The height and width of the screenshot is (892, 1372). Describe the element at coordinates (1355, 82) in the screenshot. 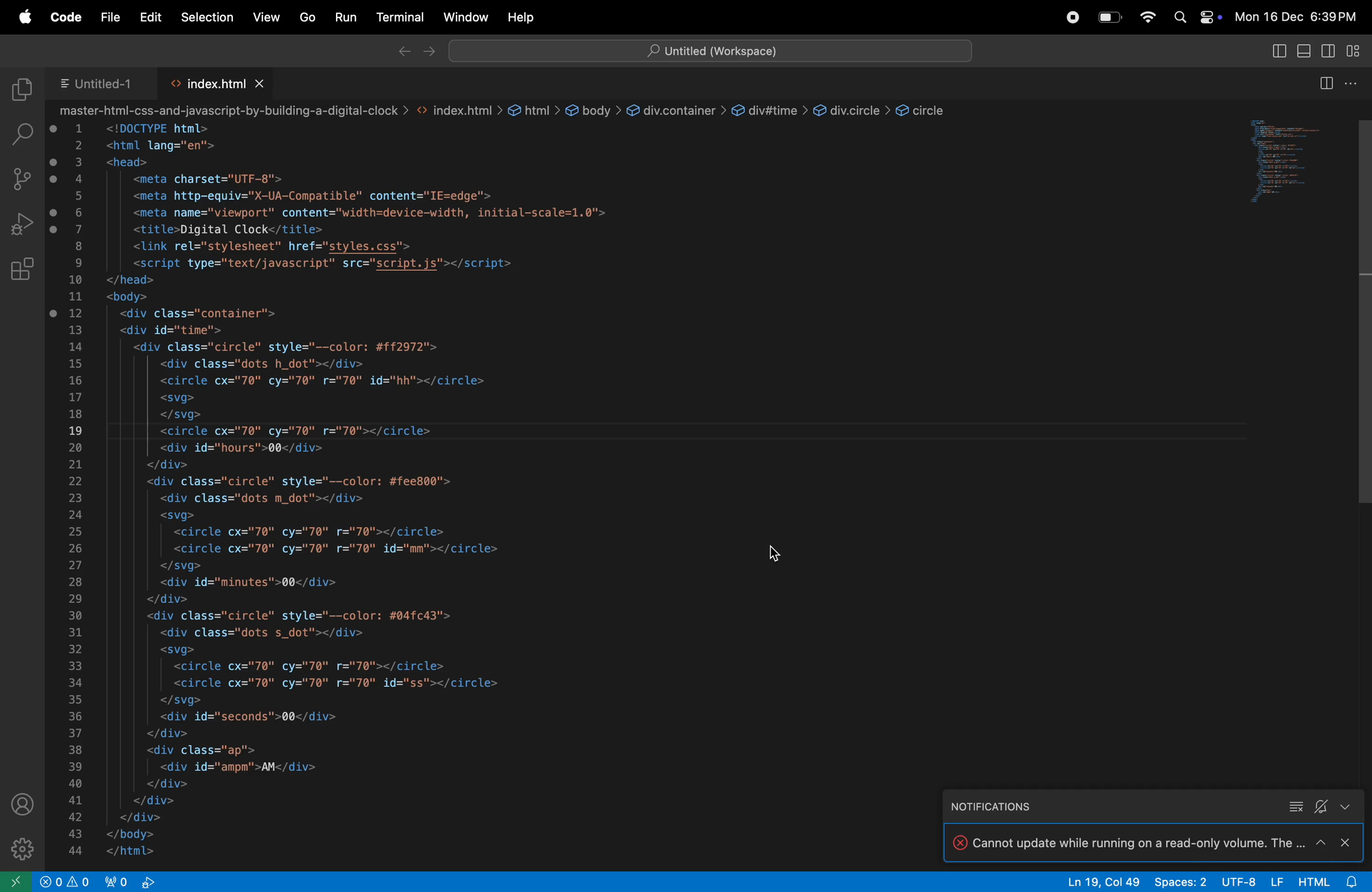

I see `options` at that location.